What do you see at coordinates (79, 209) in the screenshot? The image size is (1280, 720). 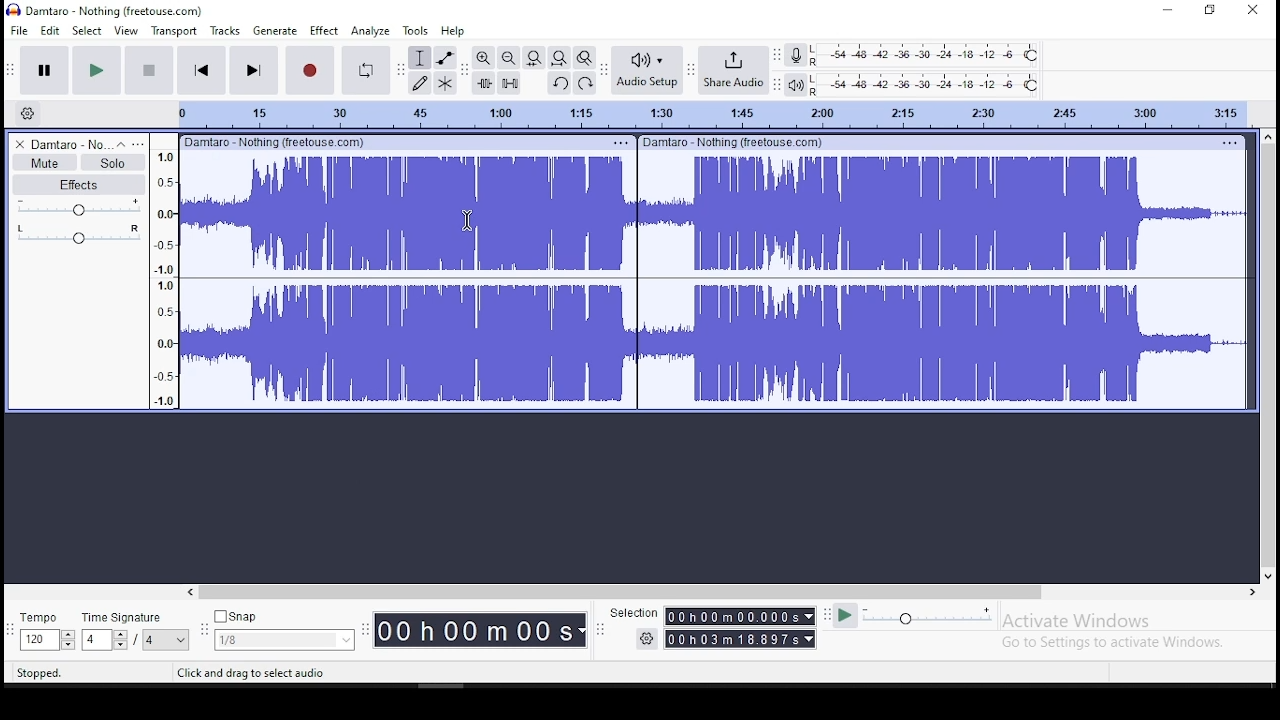 I see `volume` at bounding box center [79, 209].